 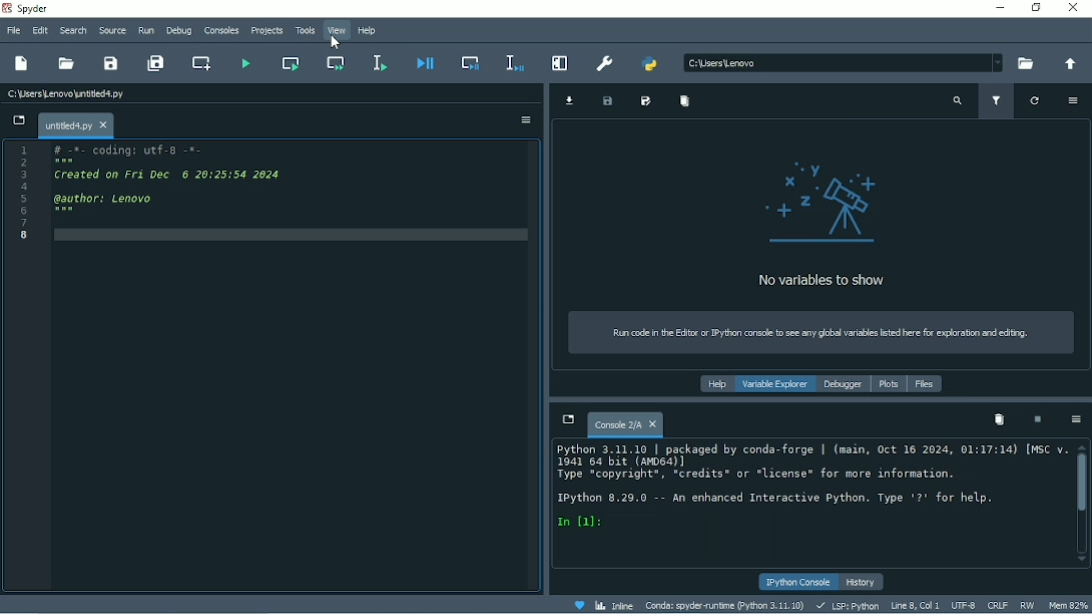 What do you see at coordinates (998, 604) in the screenshot?
I see `CRLF` at bounding box center [998, 604].